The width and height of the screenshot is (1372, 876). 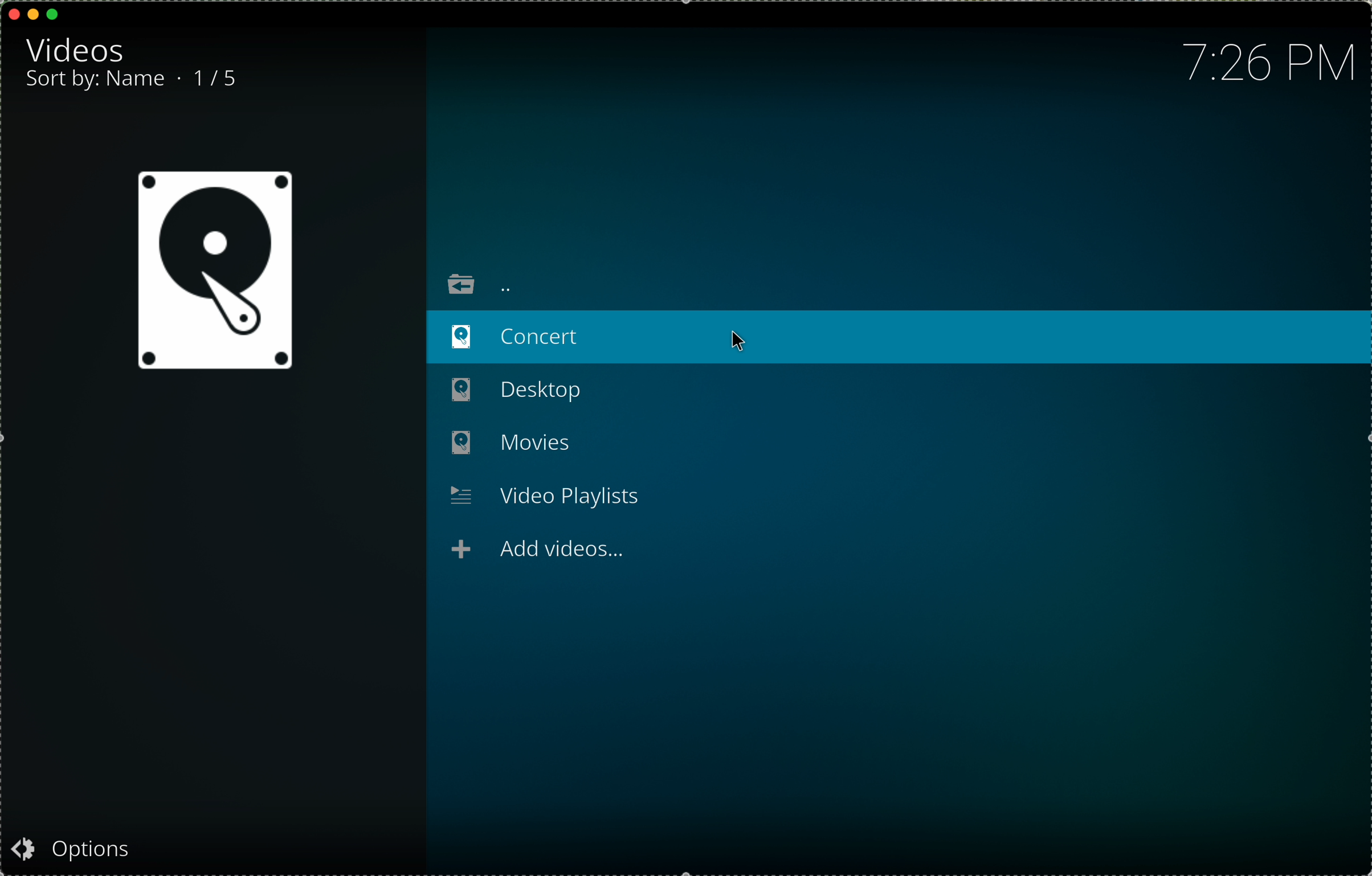 What do you see at coordinates (14, 12) in the screenshot?
I see `close` at bounding box center [14, 12].